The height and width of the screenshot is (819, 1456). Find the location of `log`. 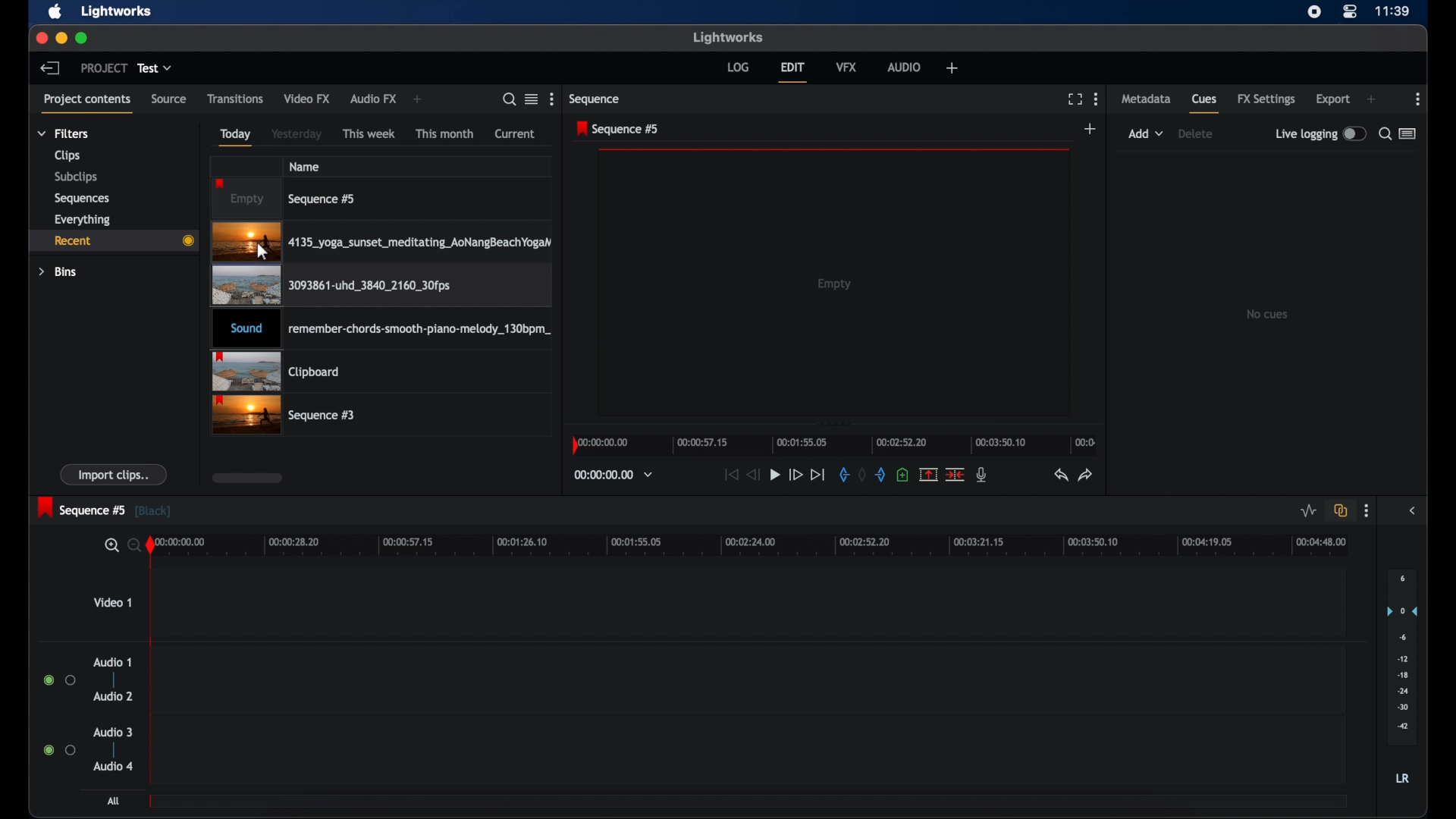

log is located at coordinates (739, 67).